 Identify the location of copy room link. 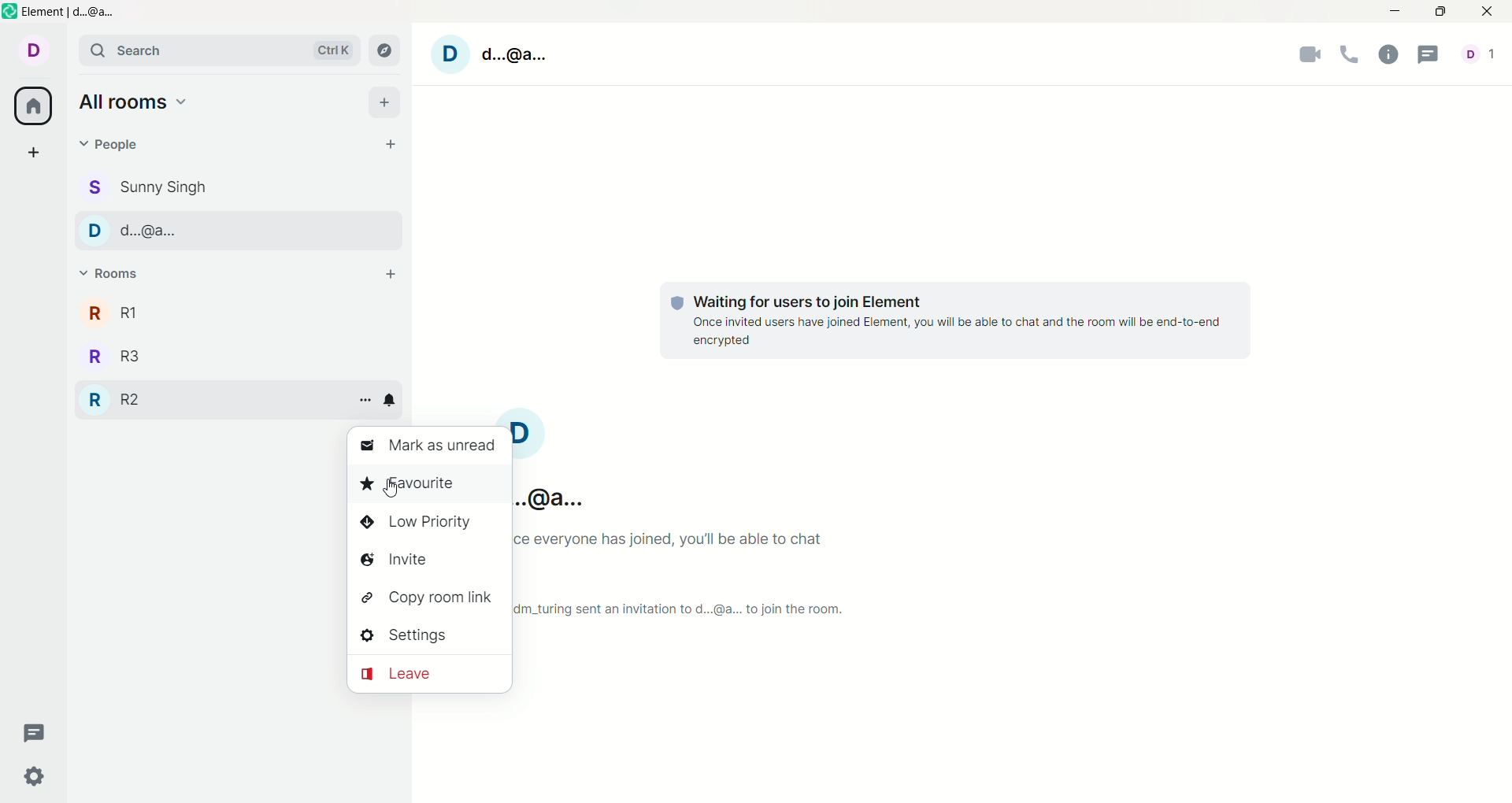
(430, 598).